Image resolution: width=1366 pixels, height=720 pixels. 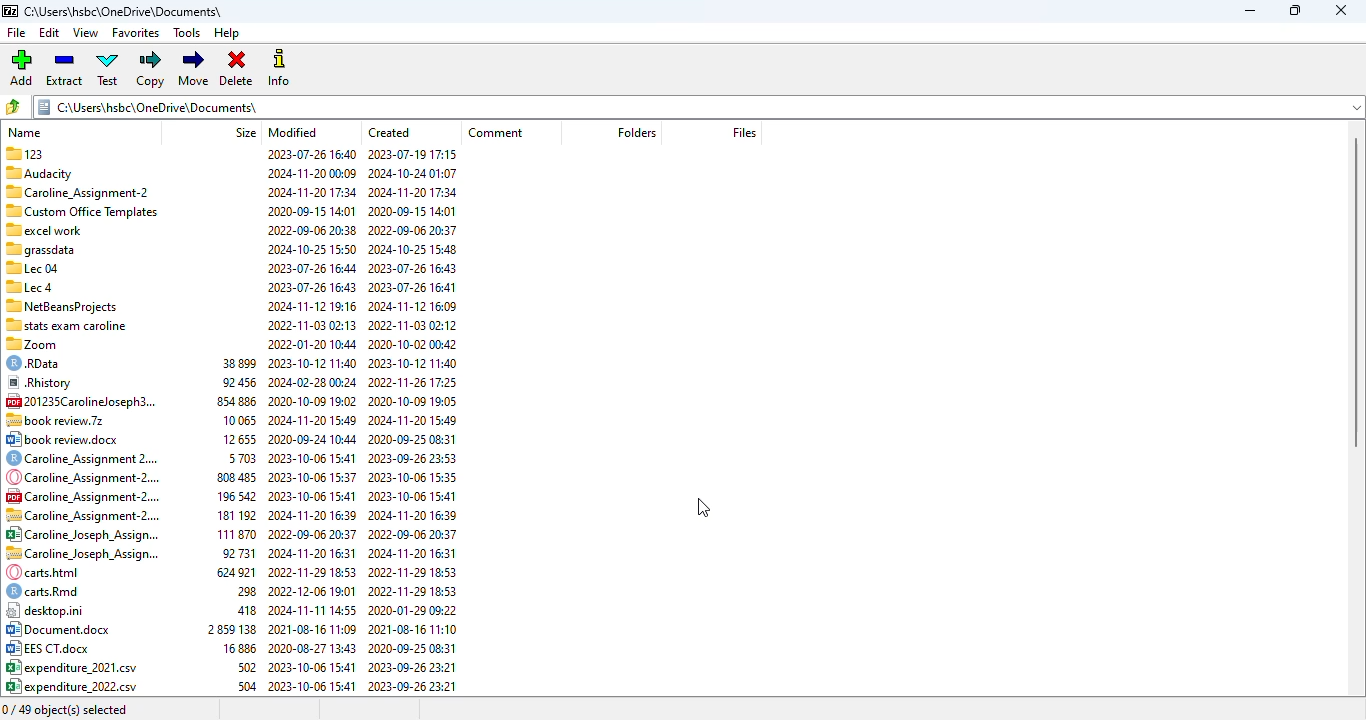 What do you see at coordinates (1356, 294) in the screenshot?
I see `vertical scroll bar` at bounding box center [1356, 294].